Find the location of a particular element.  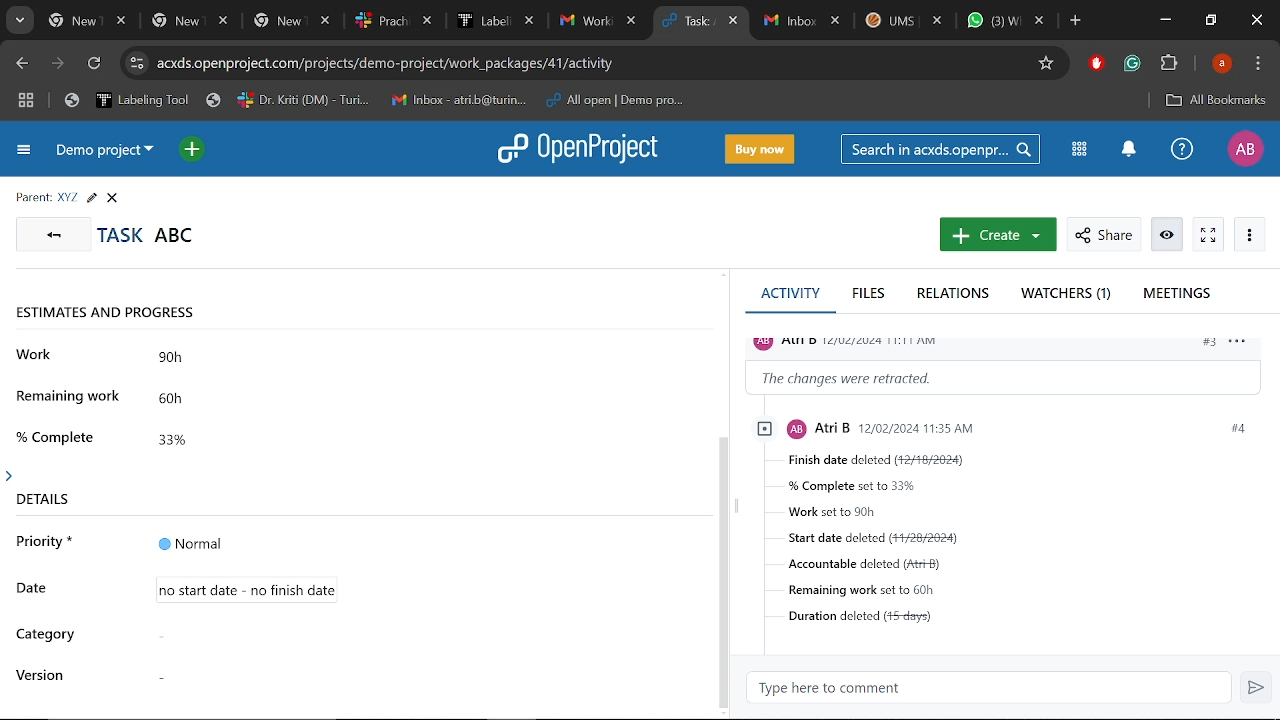

profile is located at coordinates (956, 427).